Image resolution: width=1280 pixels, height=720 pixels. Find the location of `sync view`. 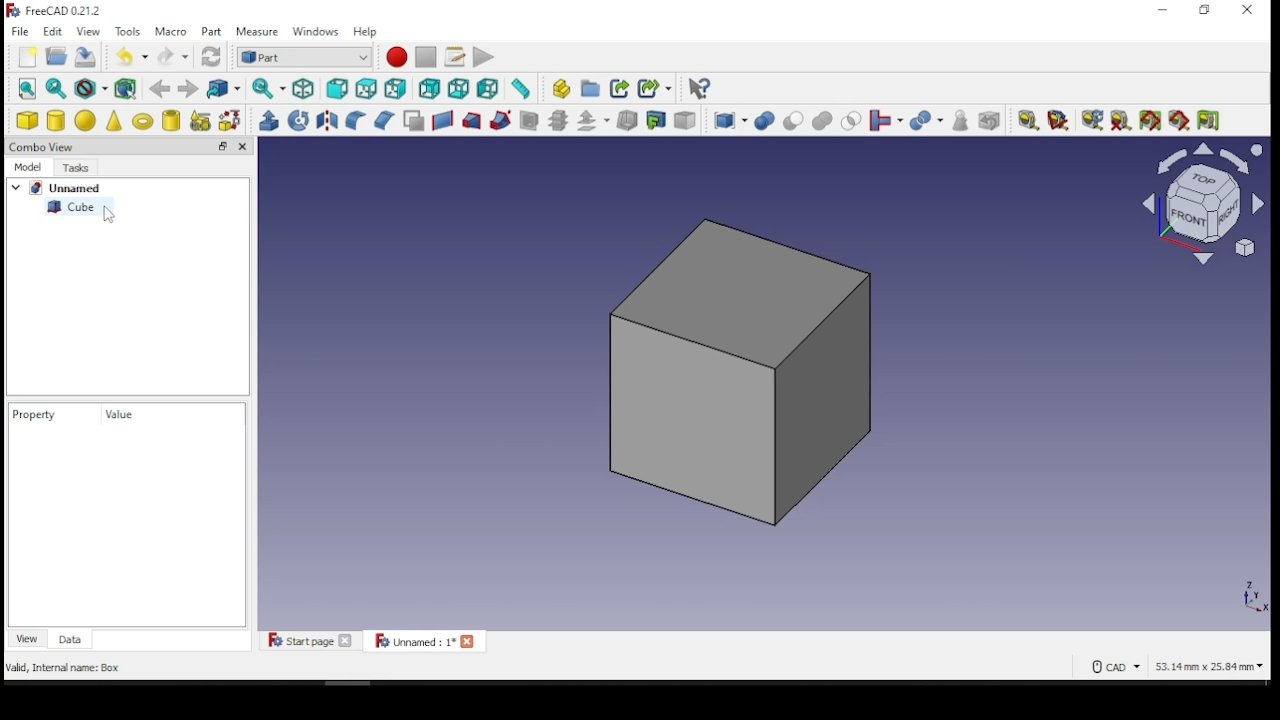

sync view is located at coordinates (269, 89).